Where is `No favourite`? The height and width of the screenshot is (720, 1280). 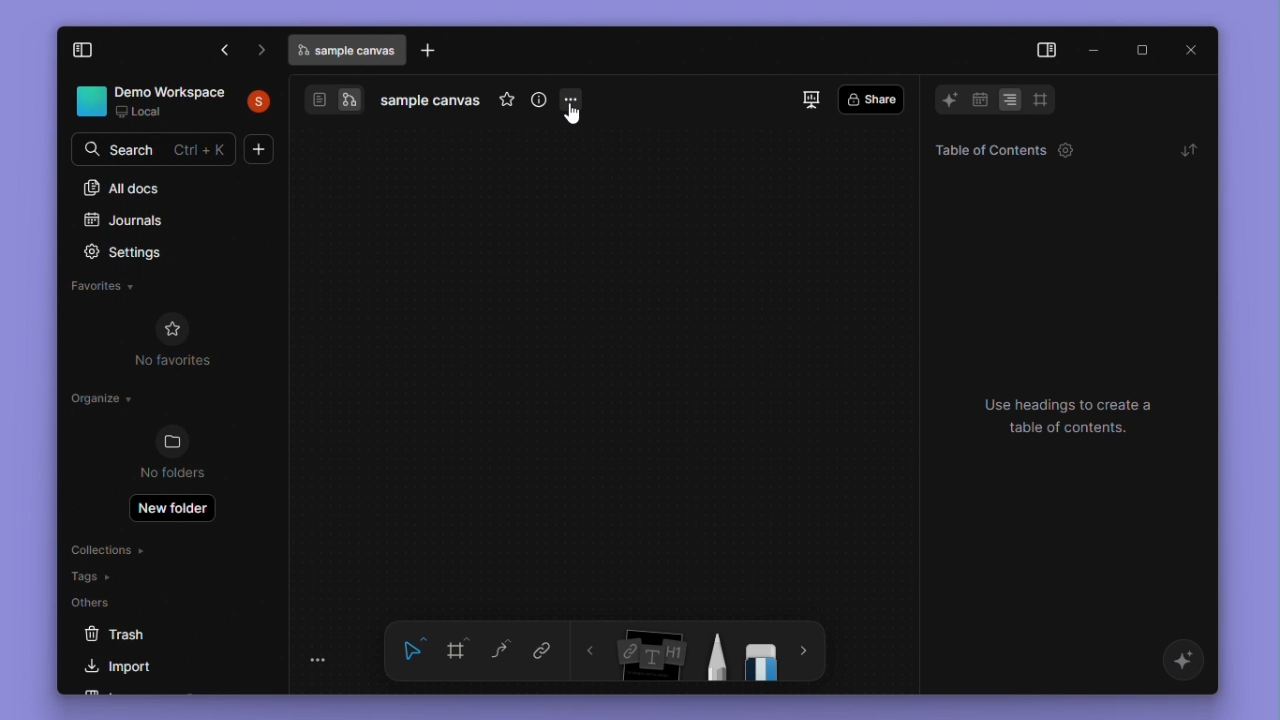
No favourite is located at coordinates (183, 340).